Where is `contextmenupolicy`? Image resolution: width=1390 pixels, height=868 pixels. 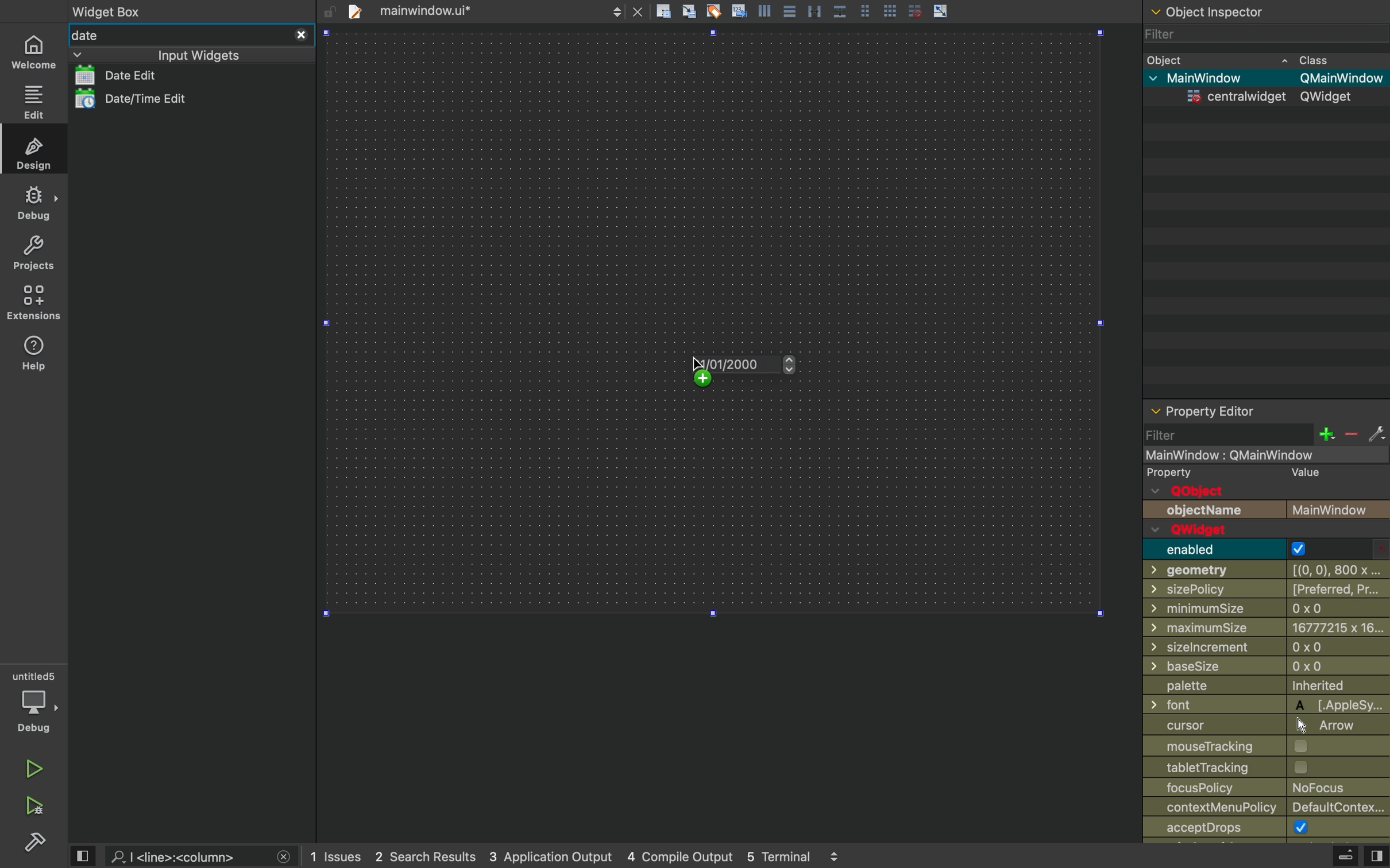
contextmenupolicy is located at coordinates (1265, 807).